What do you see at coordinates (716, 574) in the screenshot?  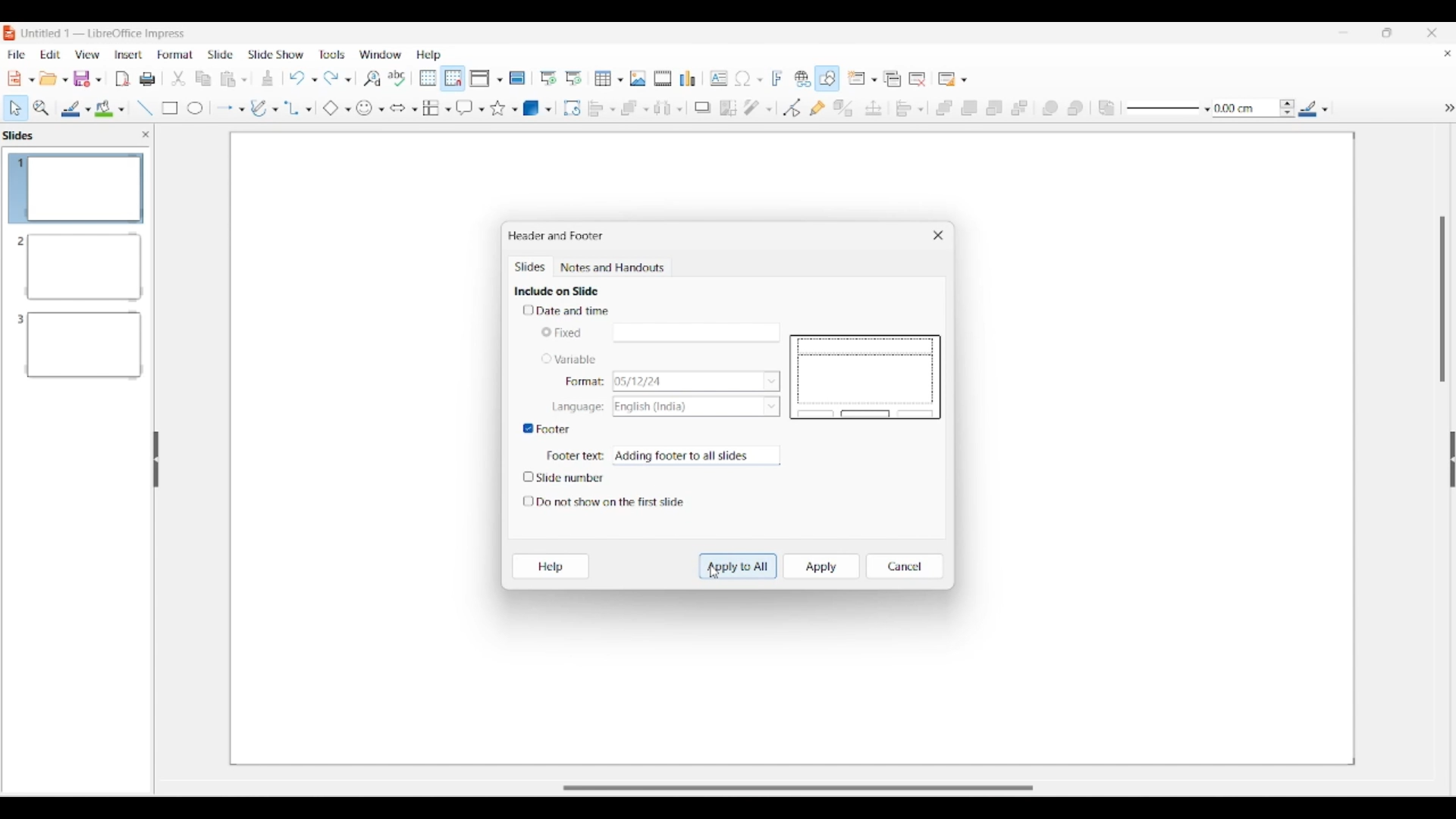 I see `Cursor` at bounding box center [716, 574].